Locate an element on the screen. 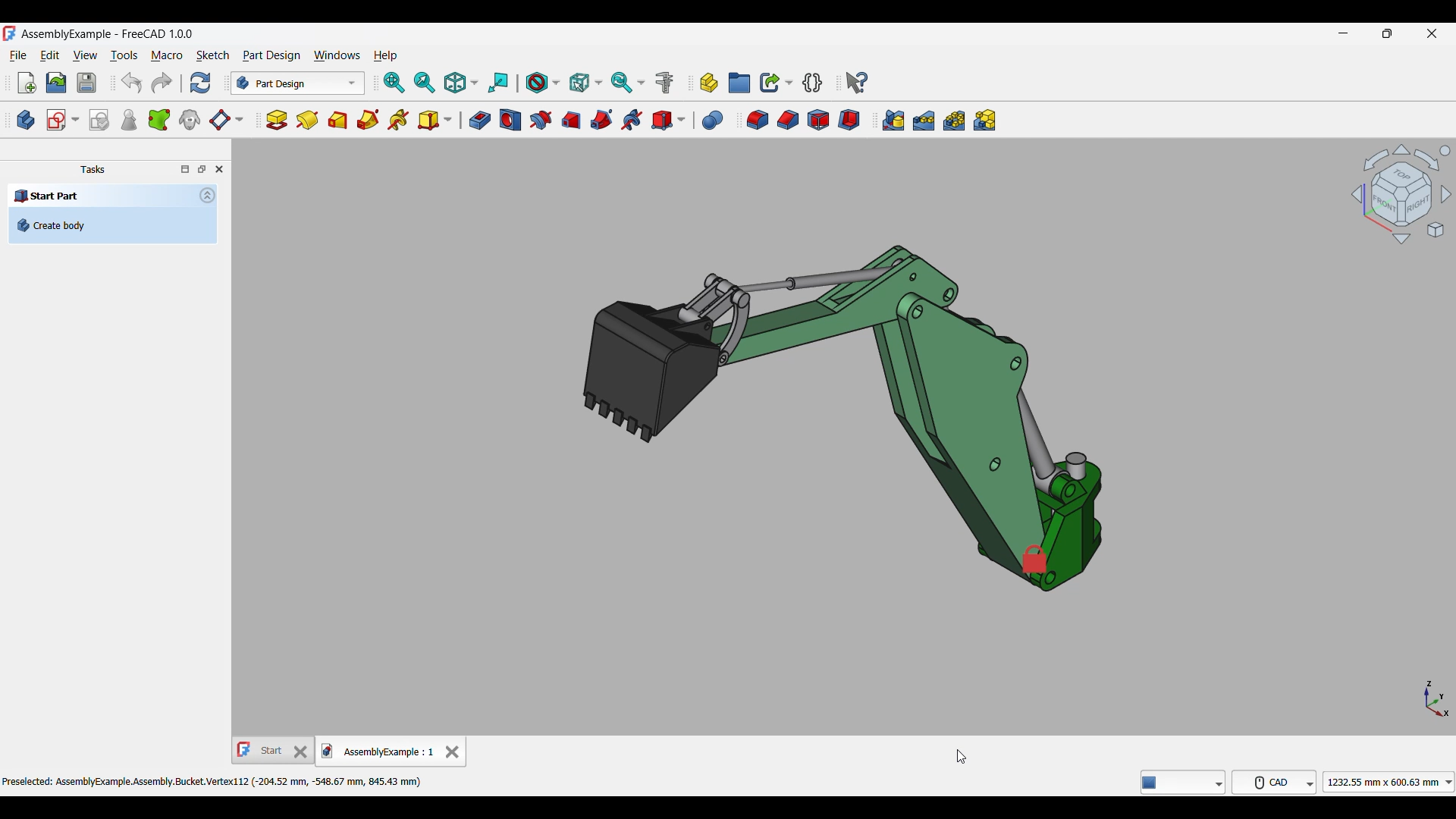 This screenshot has height=819, width=1456. Create a sub-object shape binder is located at coordinates (159, 120).